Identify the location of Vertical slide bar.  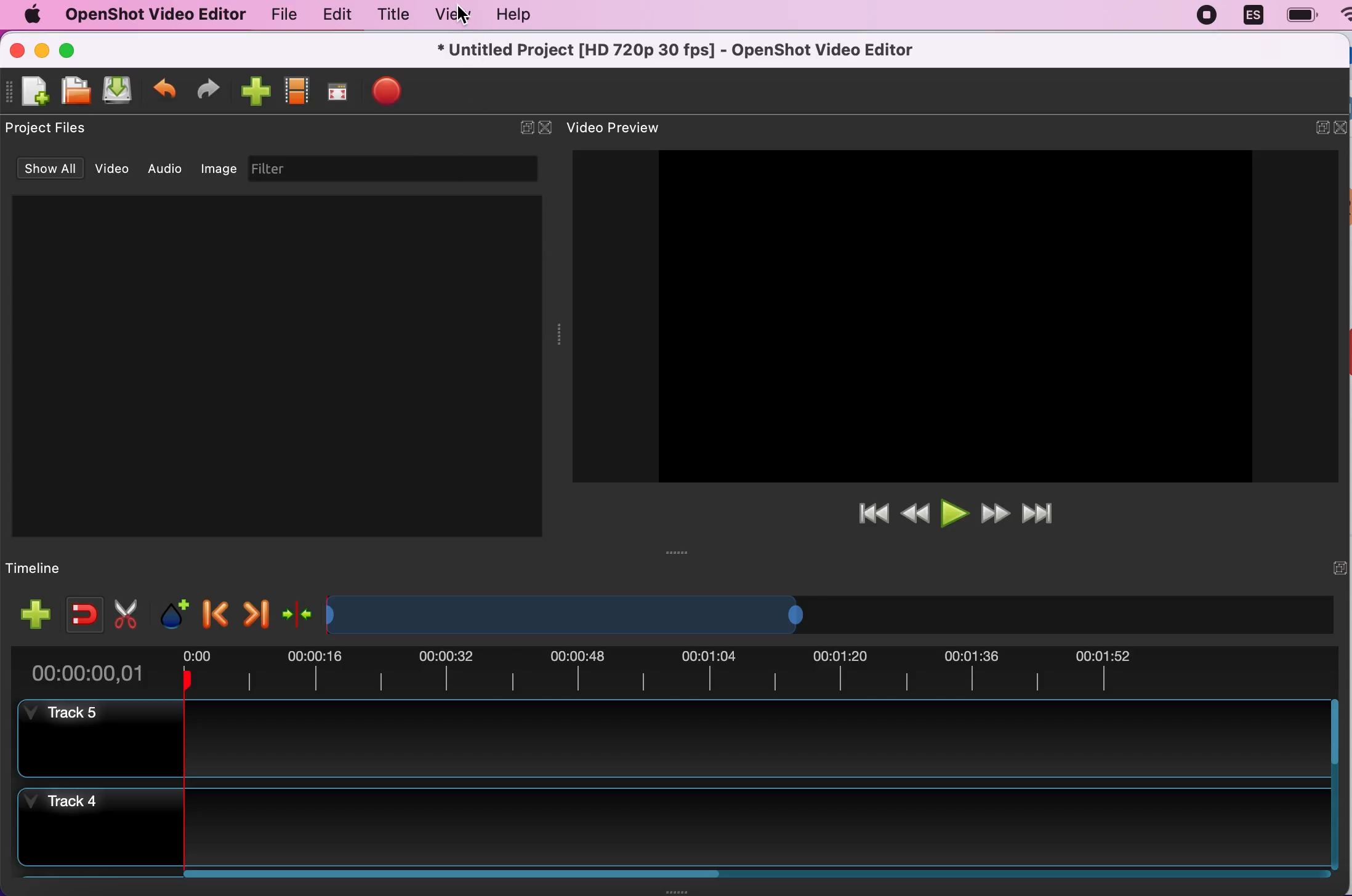
(1334, 784).